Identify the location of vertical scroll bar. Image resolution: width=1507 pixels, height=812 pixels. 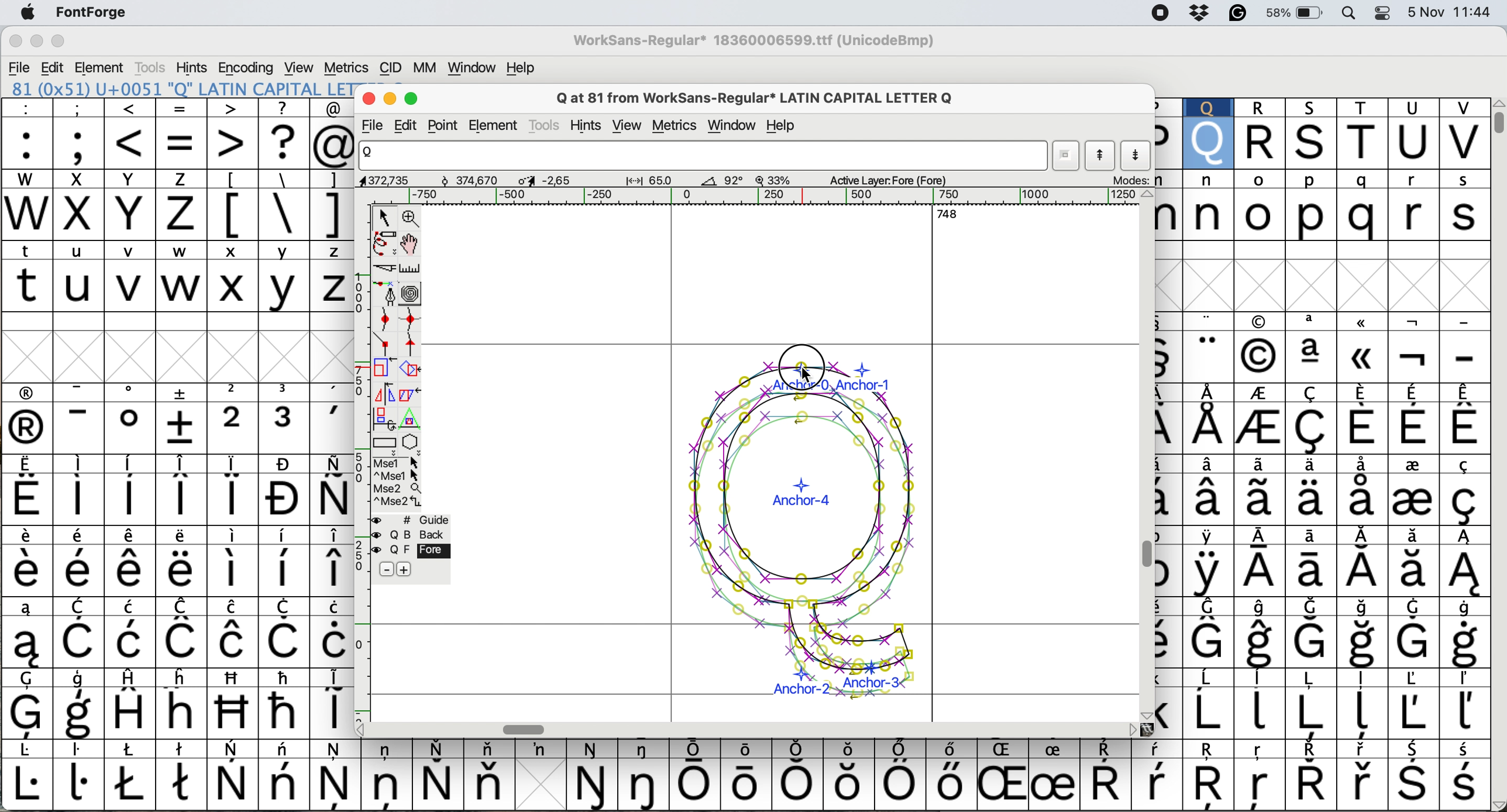
(1145, 555).